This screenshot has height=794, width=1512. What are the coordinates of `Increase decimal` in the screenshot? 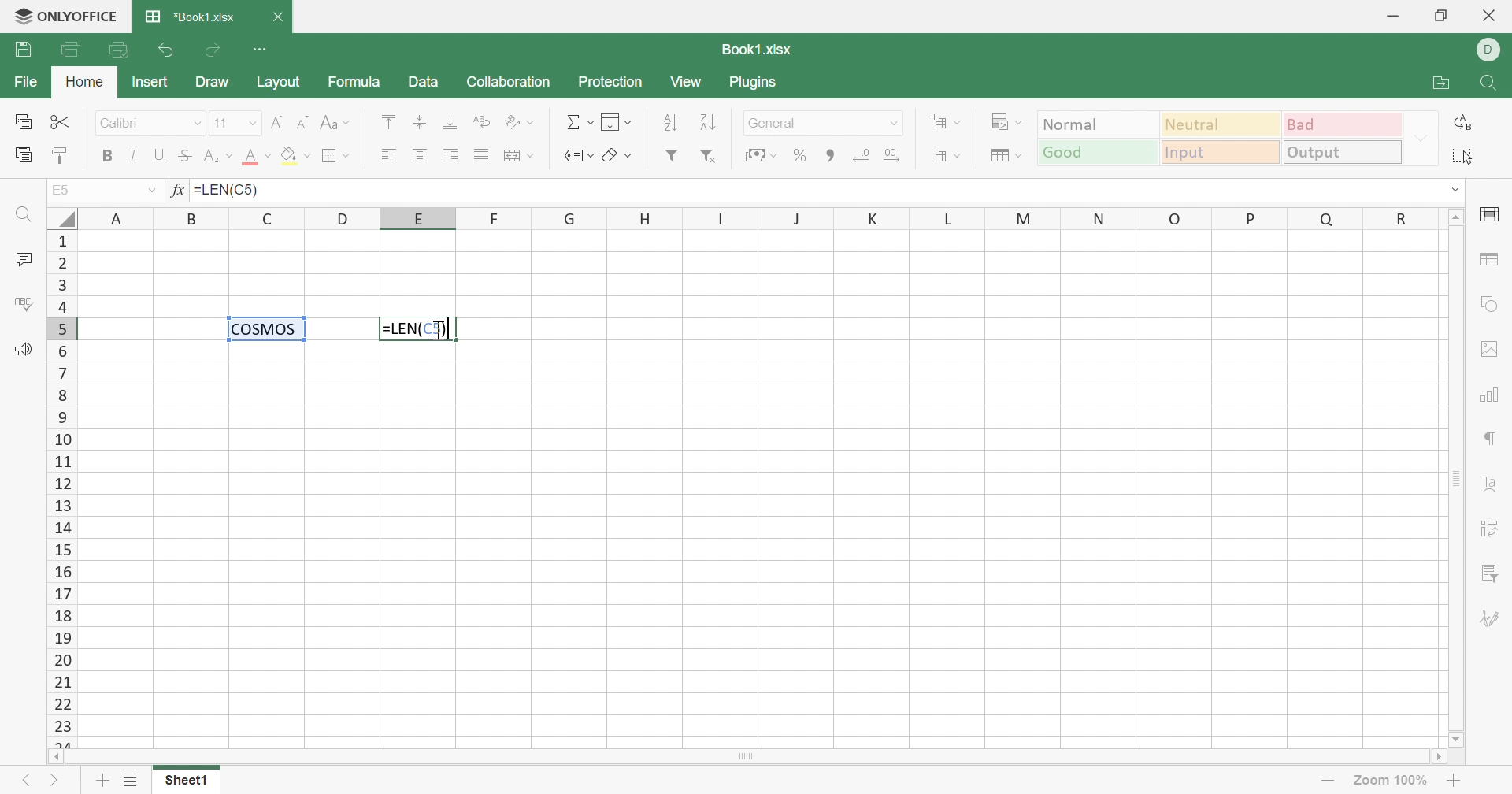 It's located at (891, 155).